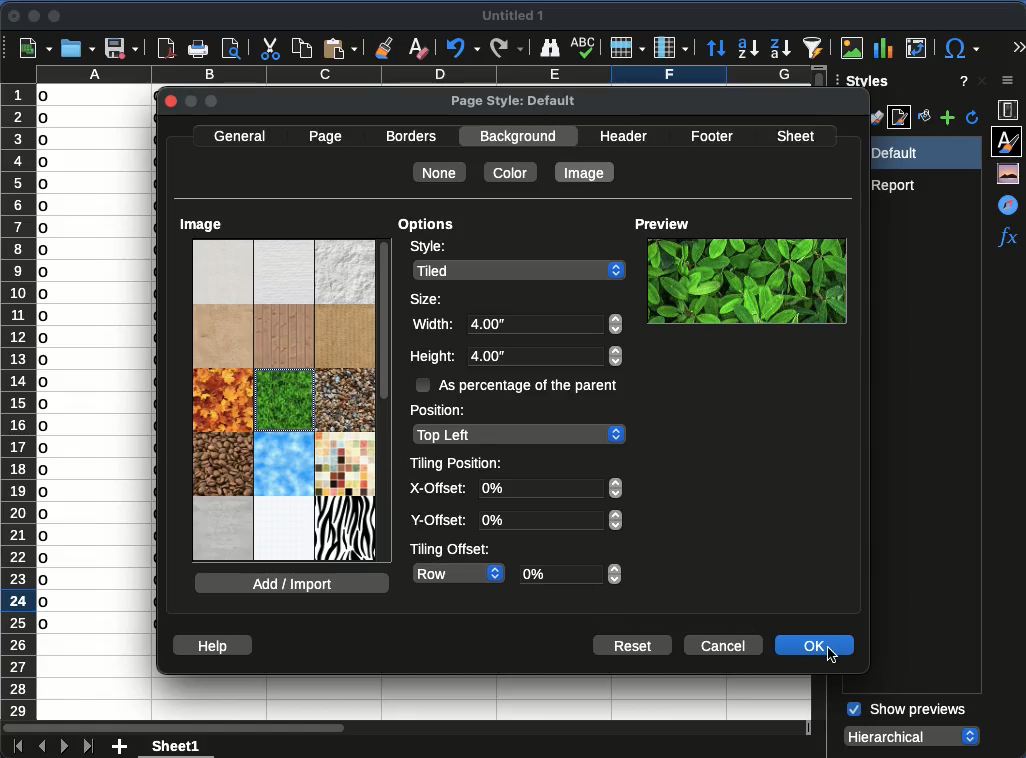  Describe the element at coordinates (920, 153) in the screenshot. I see `default` at that location.